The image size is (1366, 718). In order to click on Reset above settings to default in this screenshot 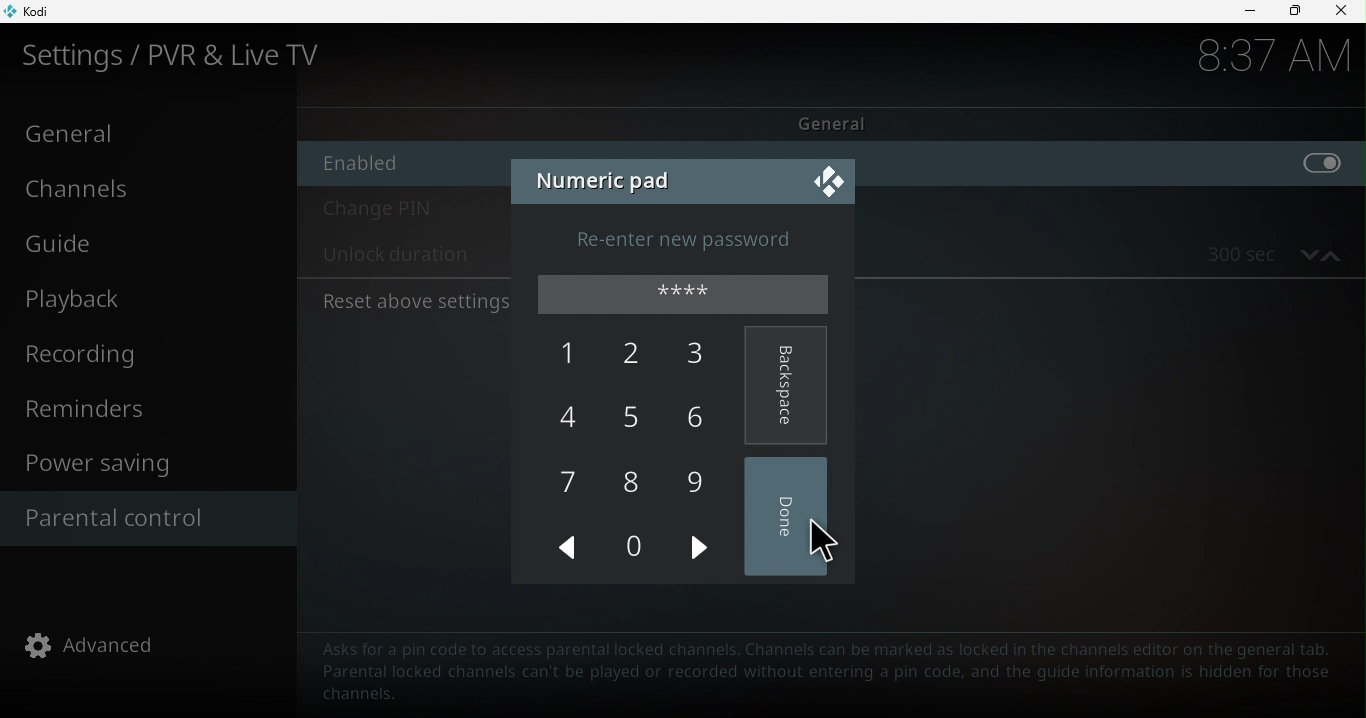, I will do `click(414, 302)`.